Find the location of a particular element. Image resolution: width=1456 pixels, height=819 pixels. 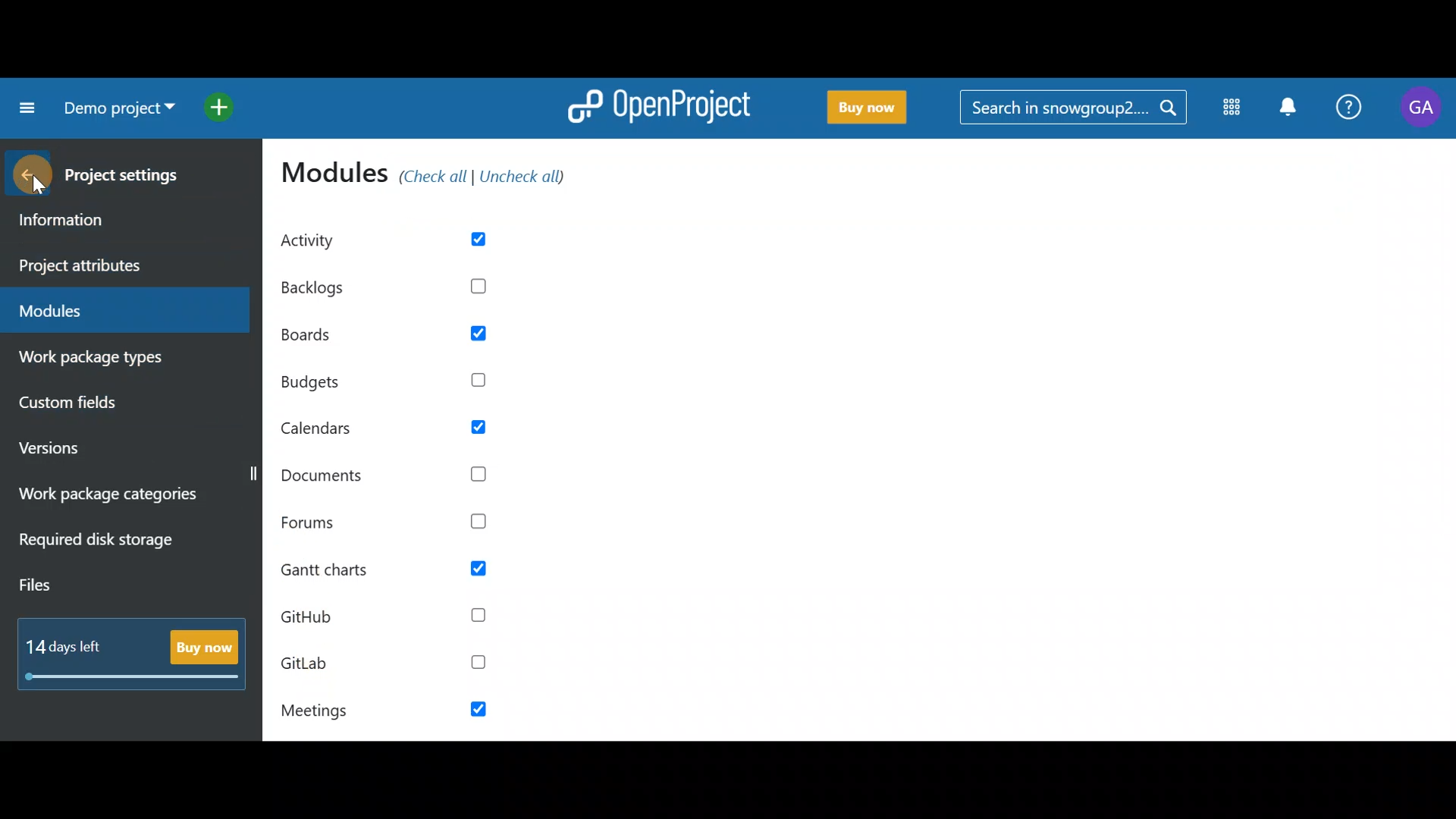

Information is located at coordinates (113, 222).